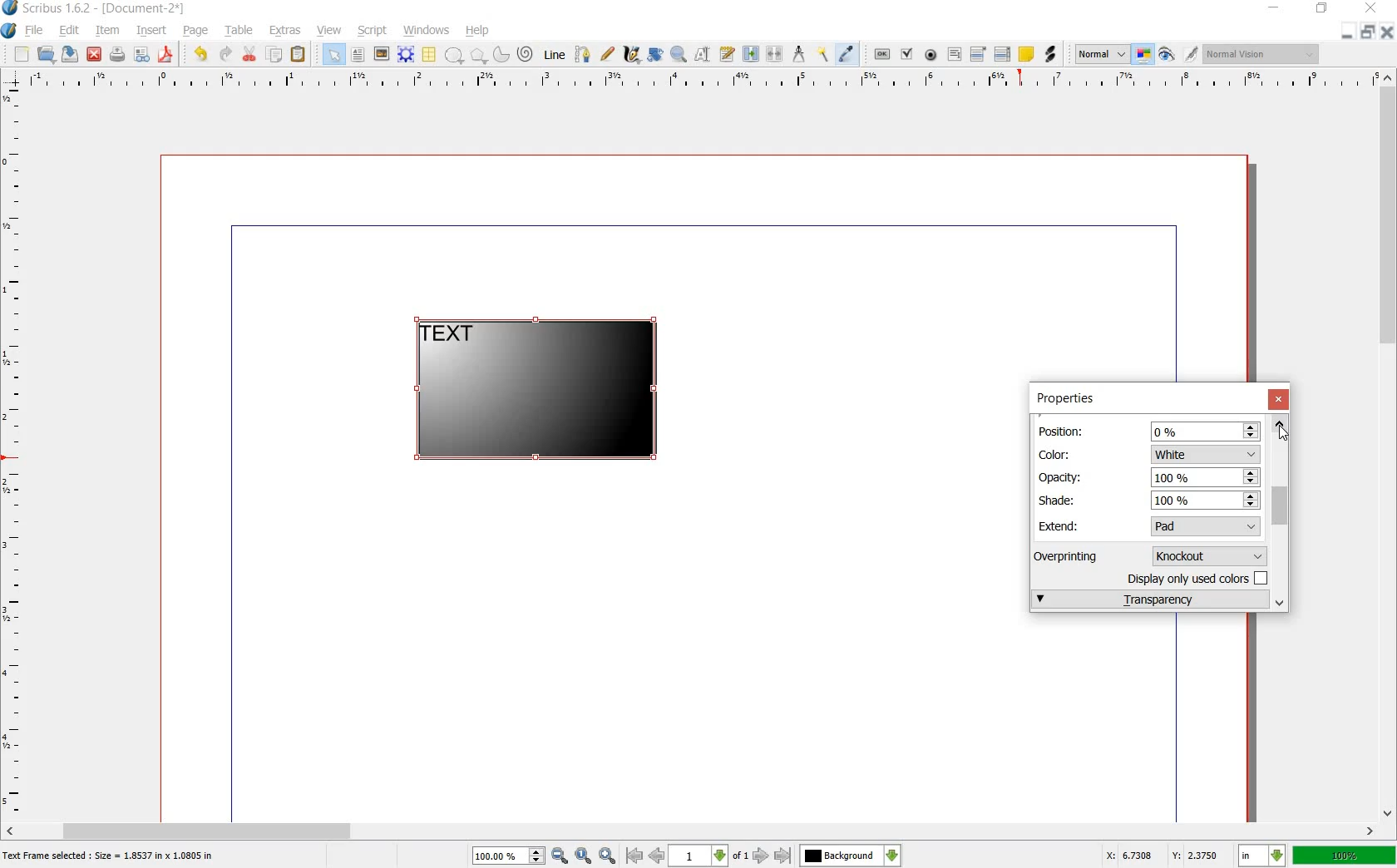  I want to click on scrollbar, so click(1281, 512).